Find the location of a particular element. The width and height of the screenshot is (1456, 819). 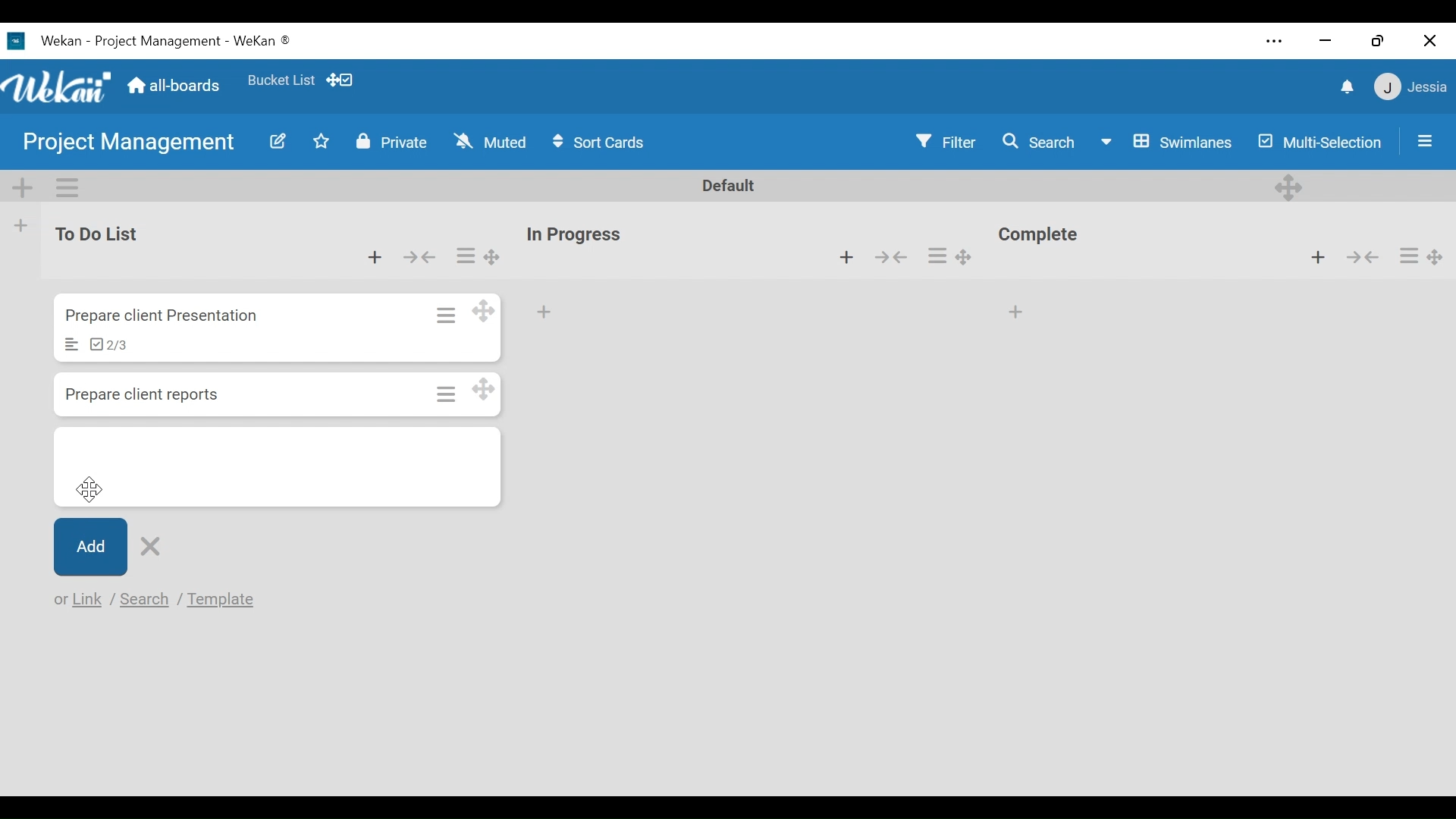

Desktop drag handles is located at coordinates (485, 391).